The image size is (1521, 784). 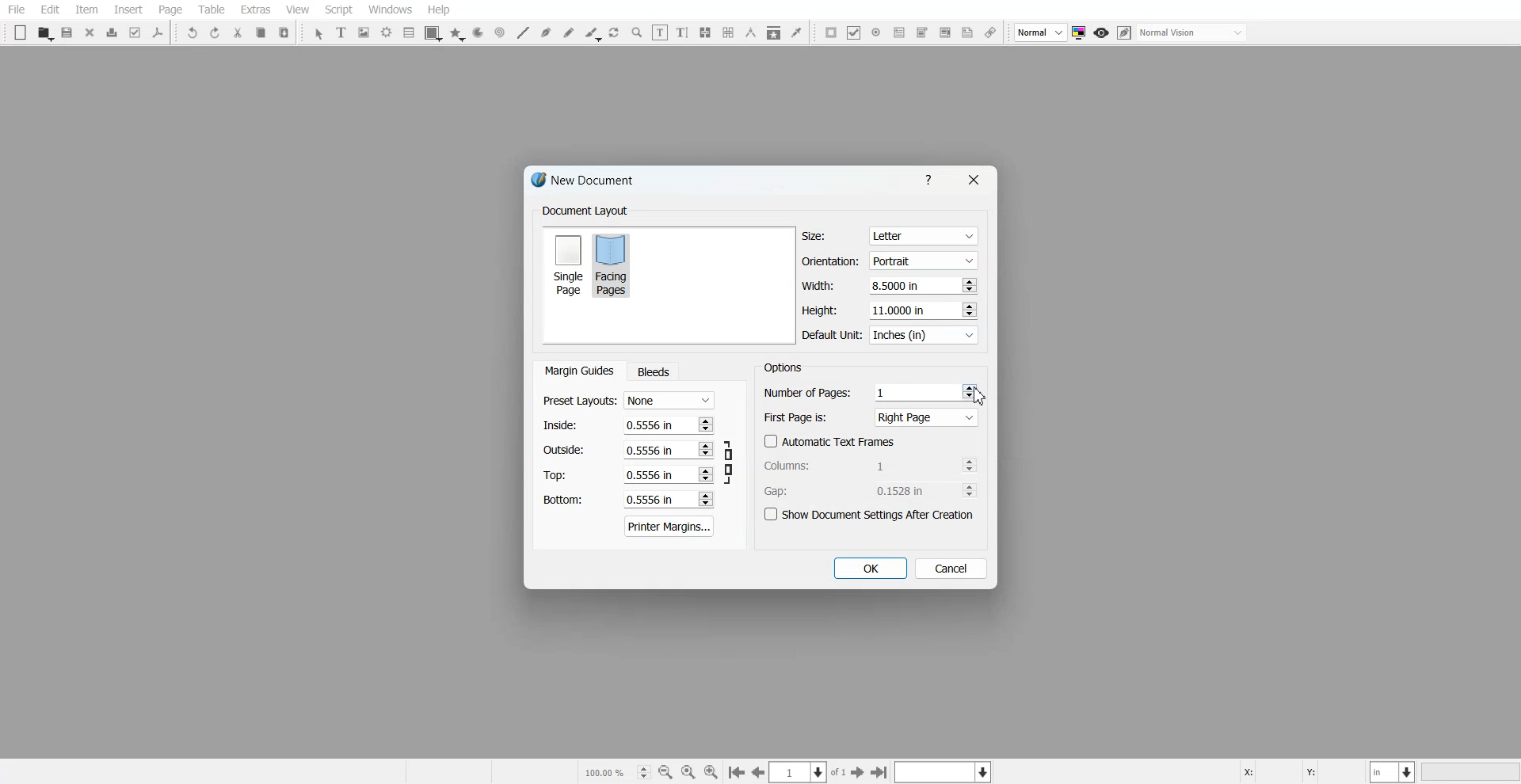 I want to click on 8.5000 in, so click(x=898, y=285).